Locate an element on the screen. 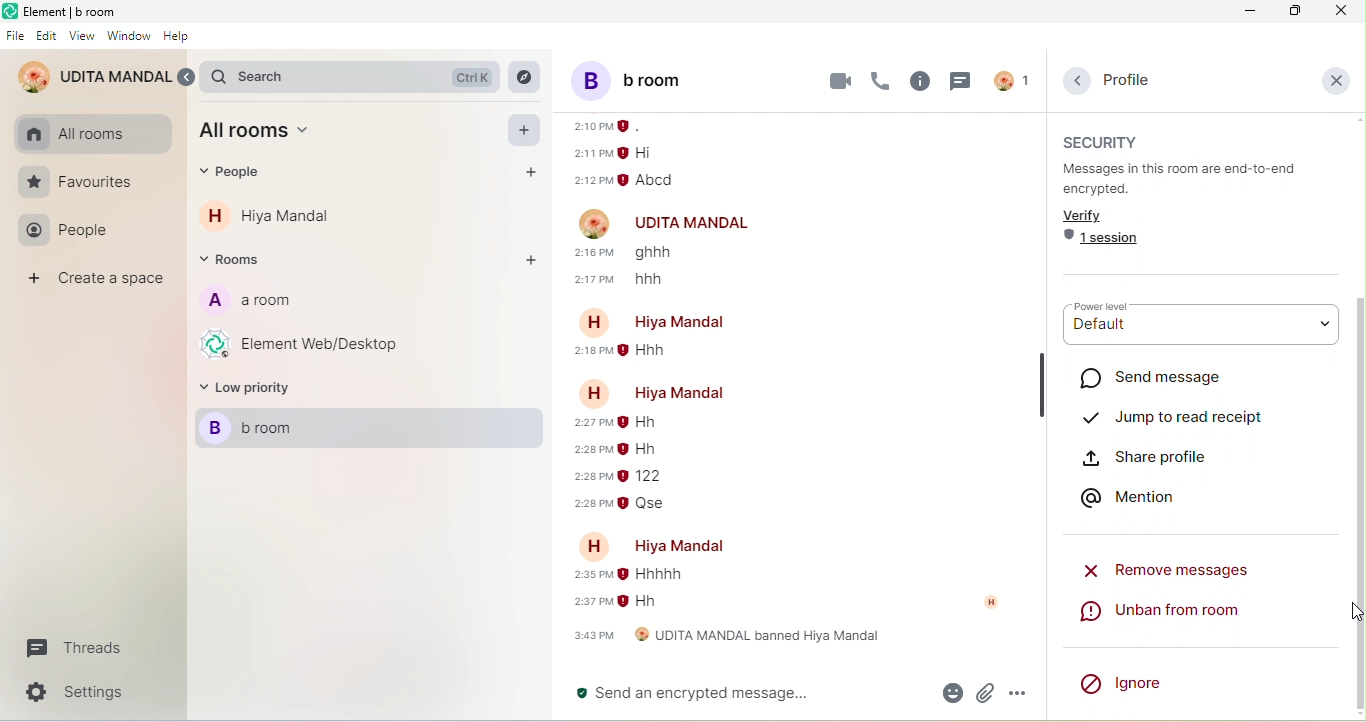 This screenshot has width=1366, height=722. scroll up is located at coordinates (1357, 119).